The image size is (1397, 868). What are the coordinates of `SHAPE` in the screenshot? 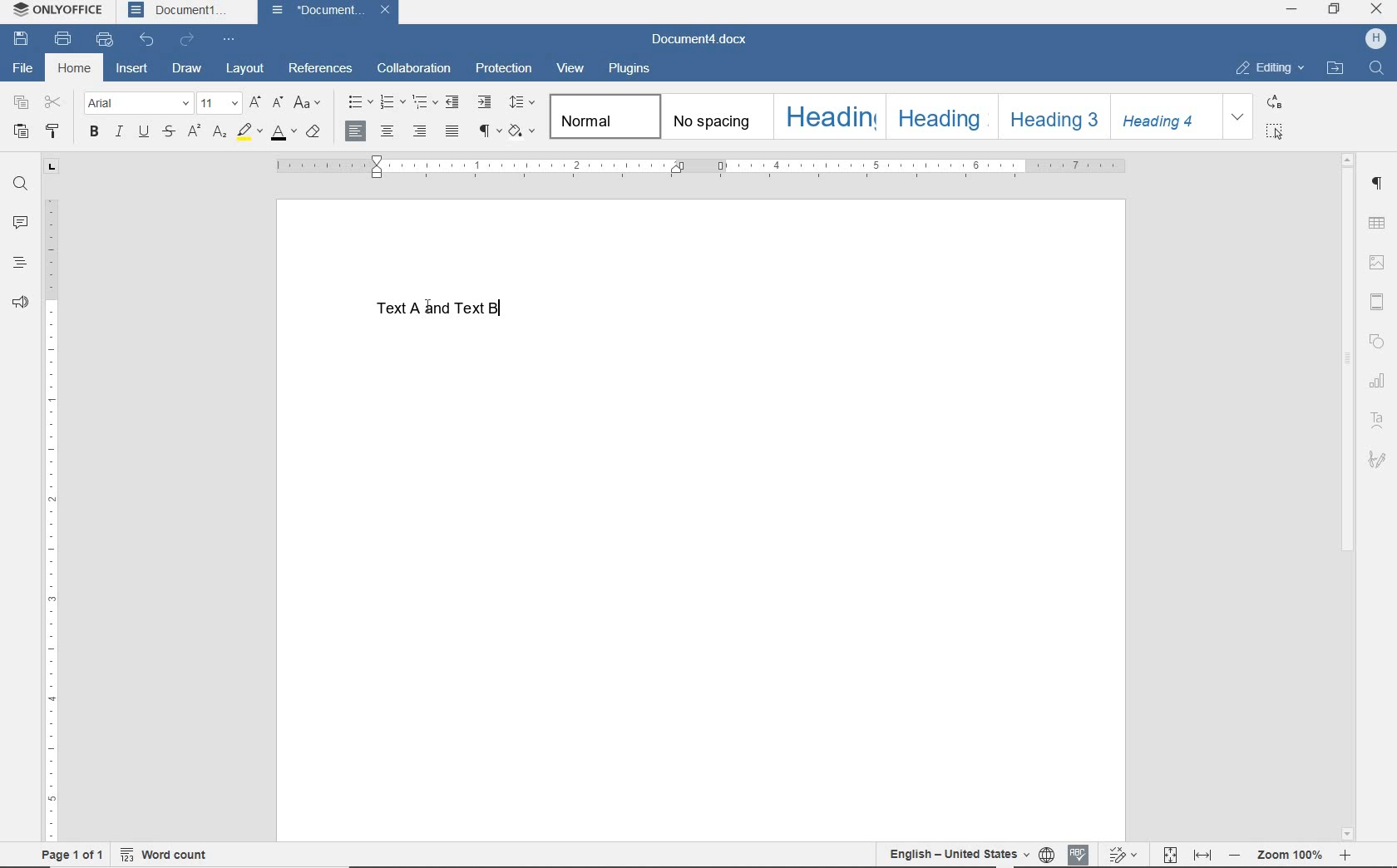 It's located at (1377, 341).